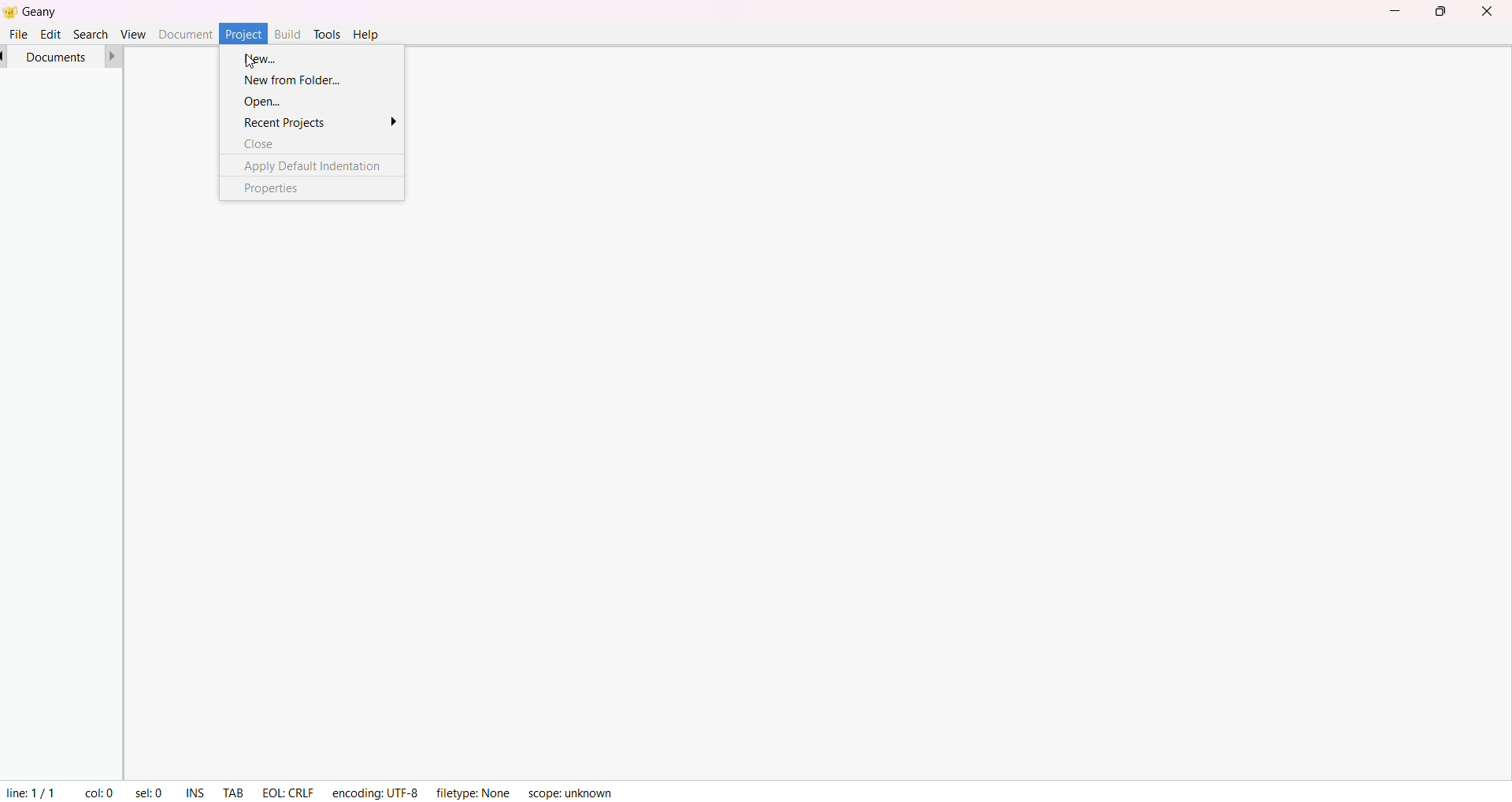 This screenshot has width=1512, height=802. Describe the element at coordinates (261, 146) in the screenshot. I see `close` at that location.